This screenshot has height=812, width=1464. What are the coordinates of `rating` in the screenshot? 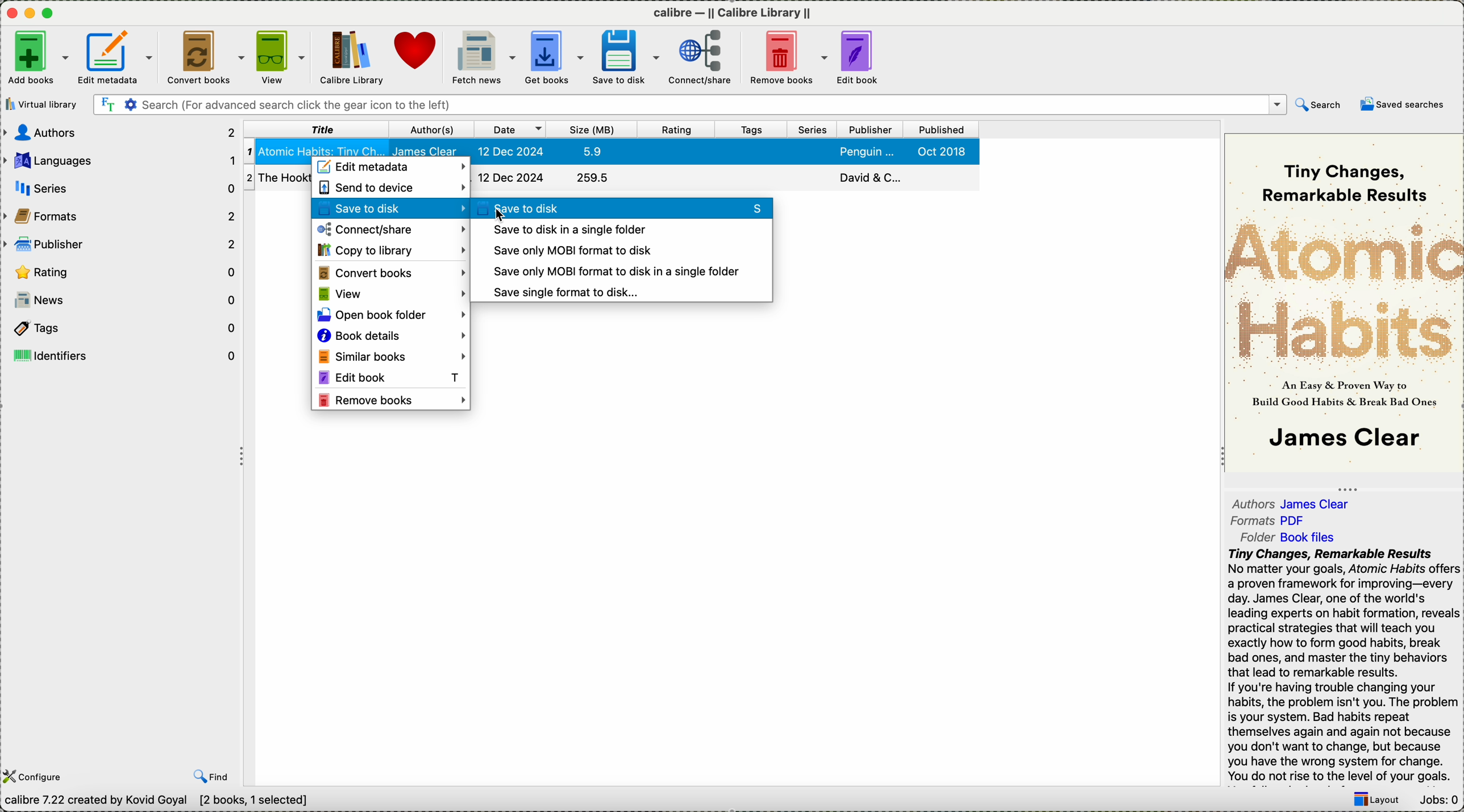 It's located at (676, 130).